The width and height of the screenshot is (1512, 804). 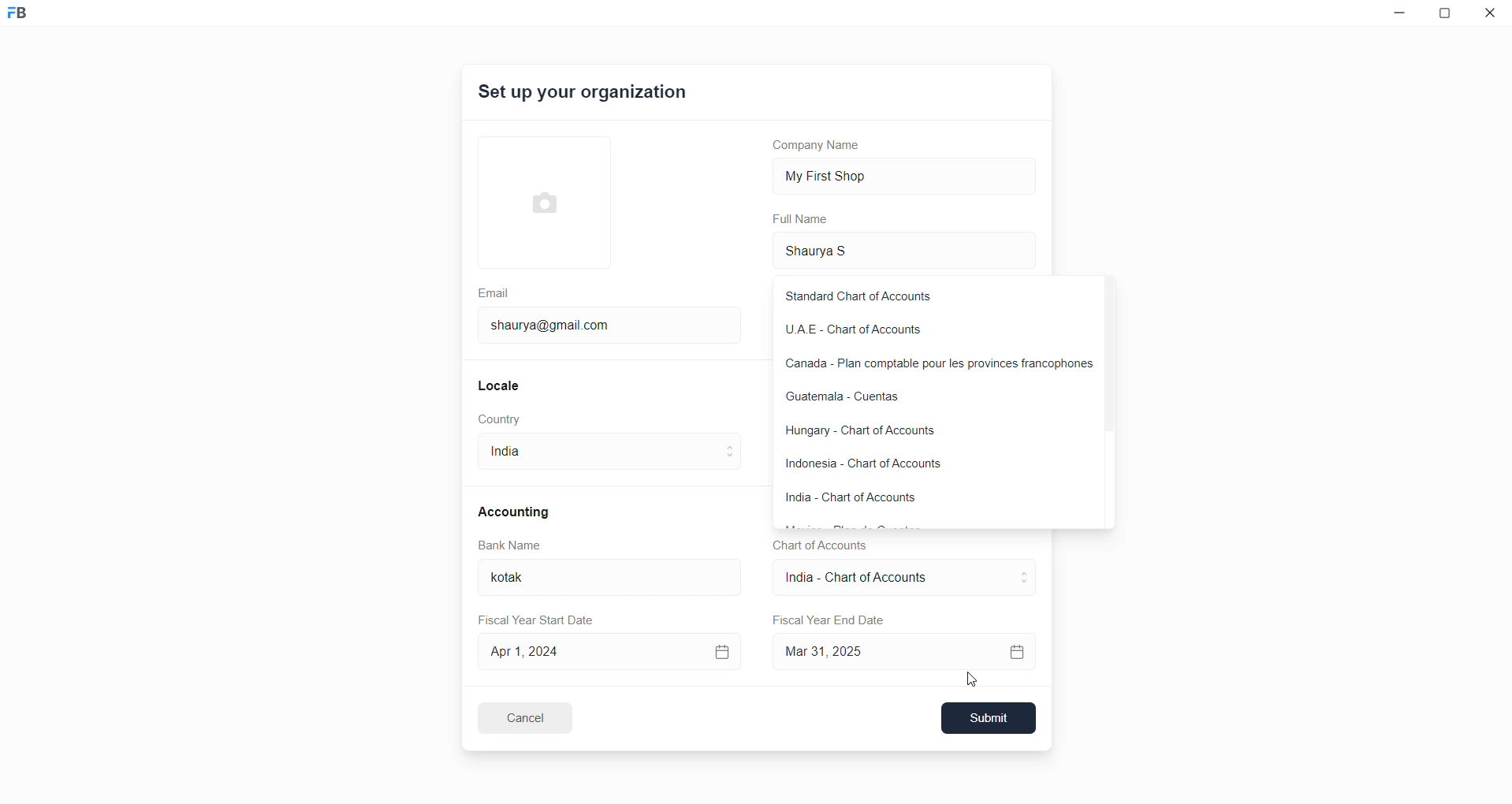 What do you see at coordinates (933, 367) in the screenshot?
I see `Canada - Plan comptable pour les provinces francophores` at bounding box center [933, 367].